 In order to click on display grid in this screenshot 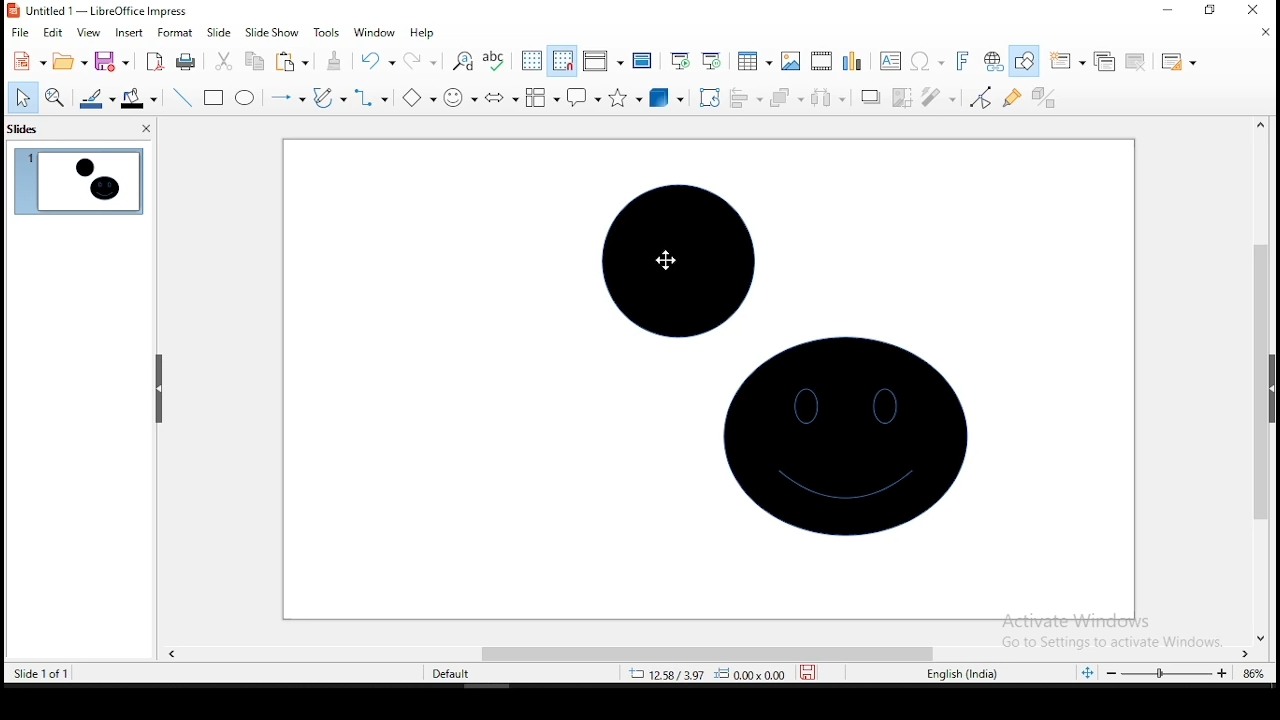, I will do `click(533, 62)`.